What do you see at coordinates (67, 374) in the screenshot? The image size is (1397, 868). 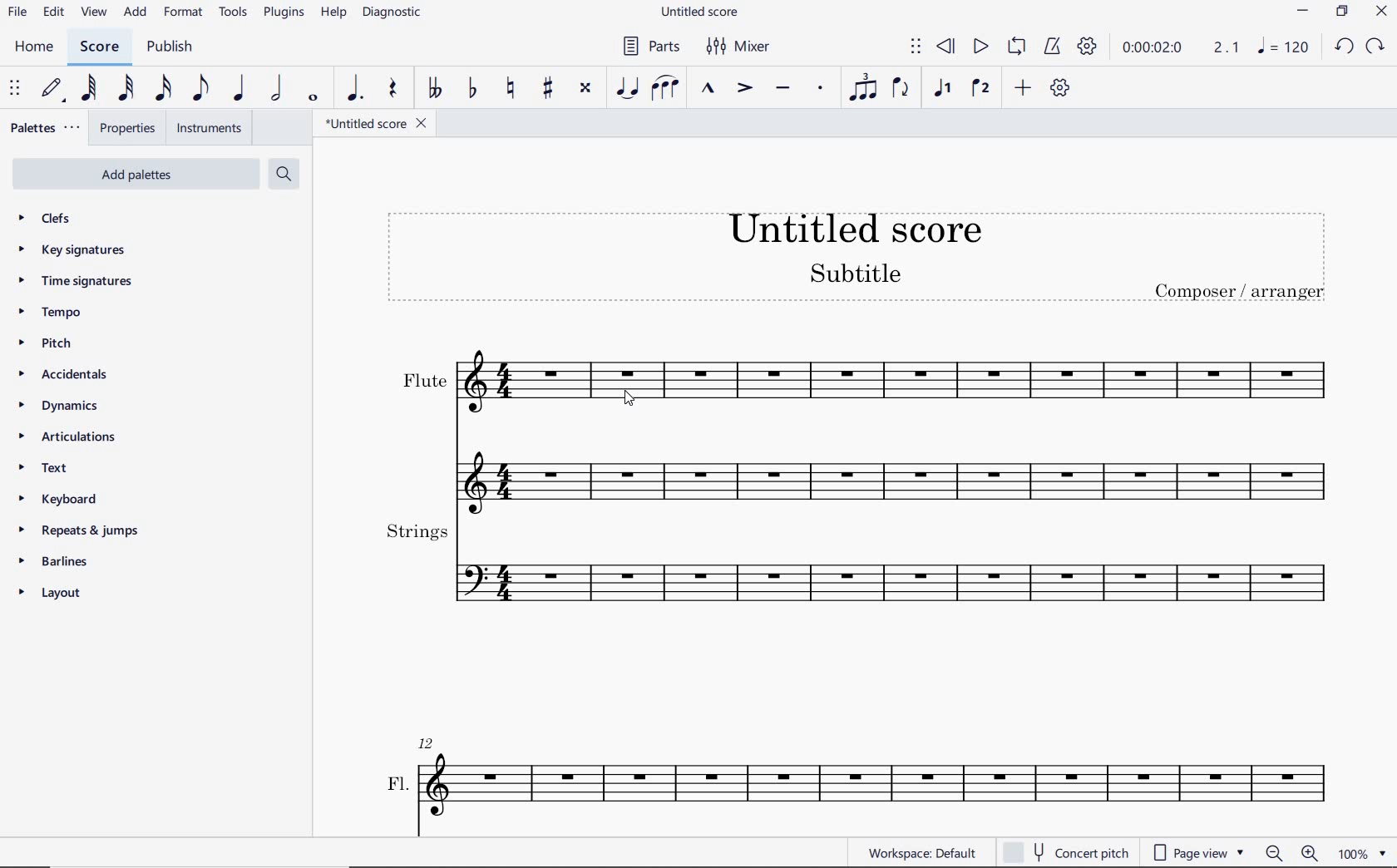 I see `accidentals` at bounding box center [67, 374].